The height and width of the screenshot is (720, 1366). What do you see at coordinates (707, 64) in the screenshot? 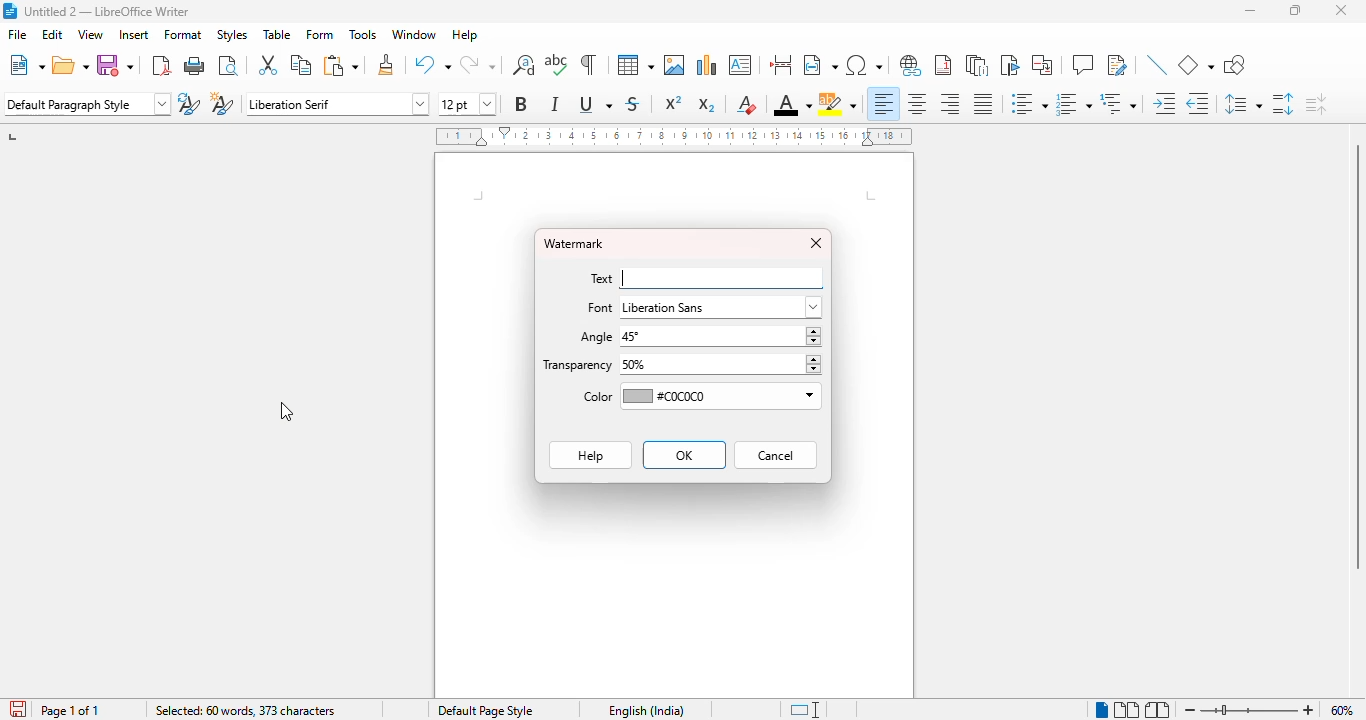
I see `insert chart` at bounding box center [707, 64].